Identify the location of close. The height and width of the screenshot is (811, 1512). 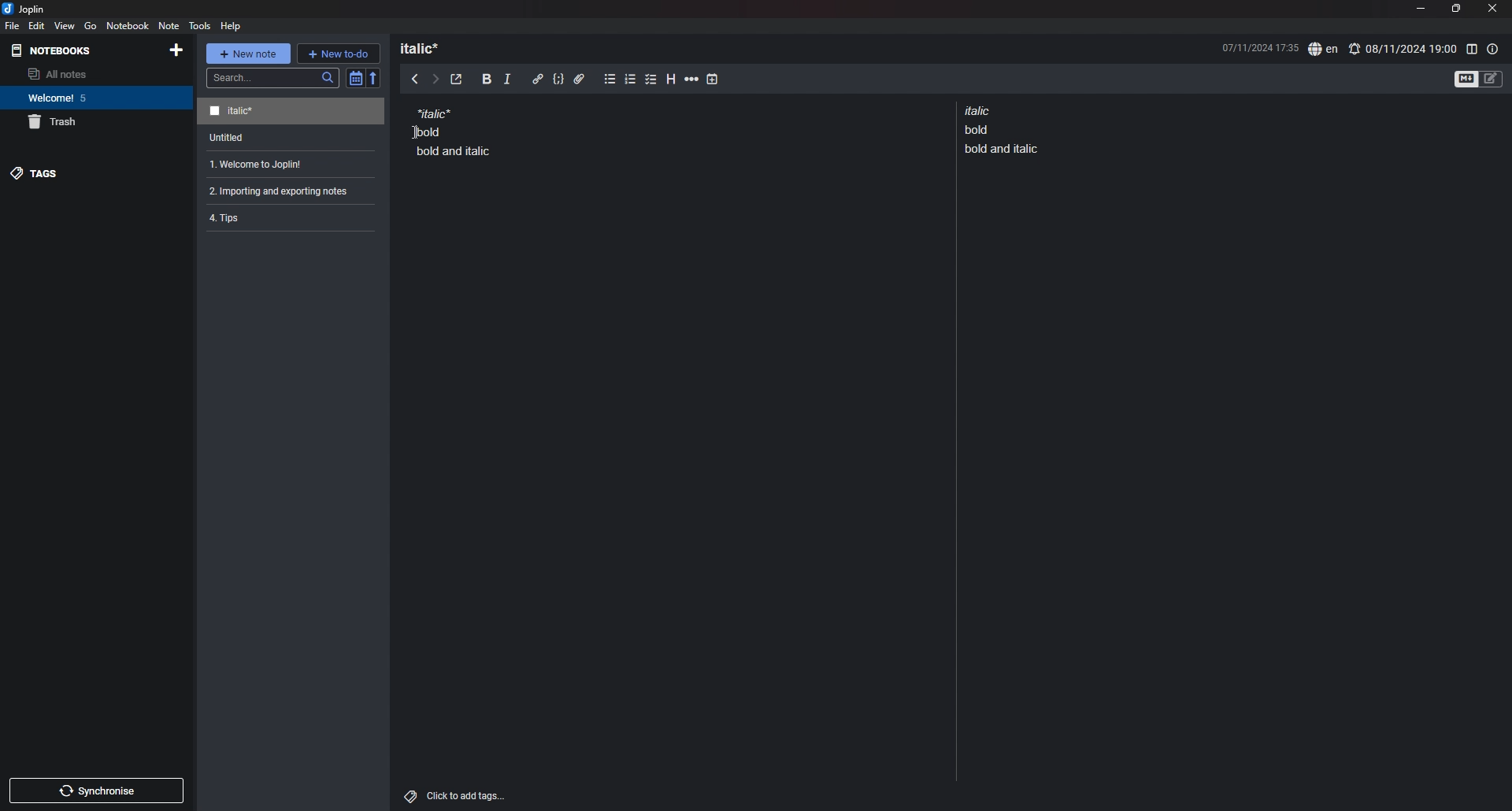
(1494, 8).